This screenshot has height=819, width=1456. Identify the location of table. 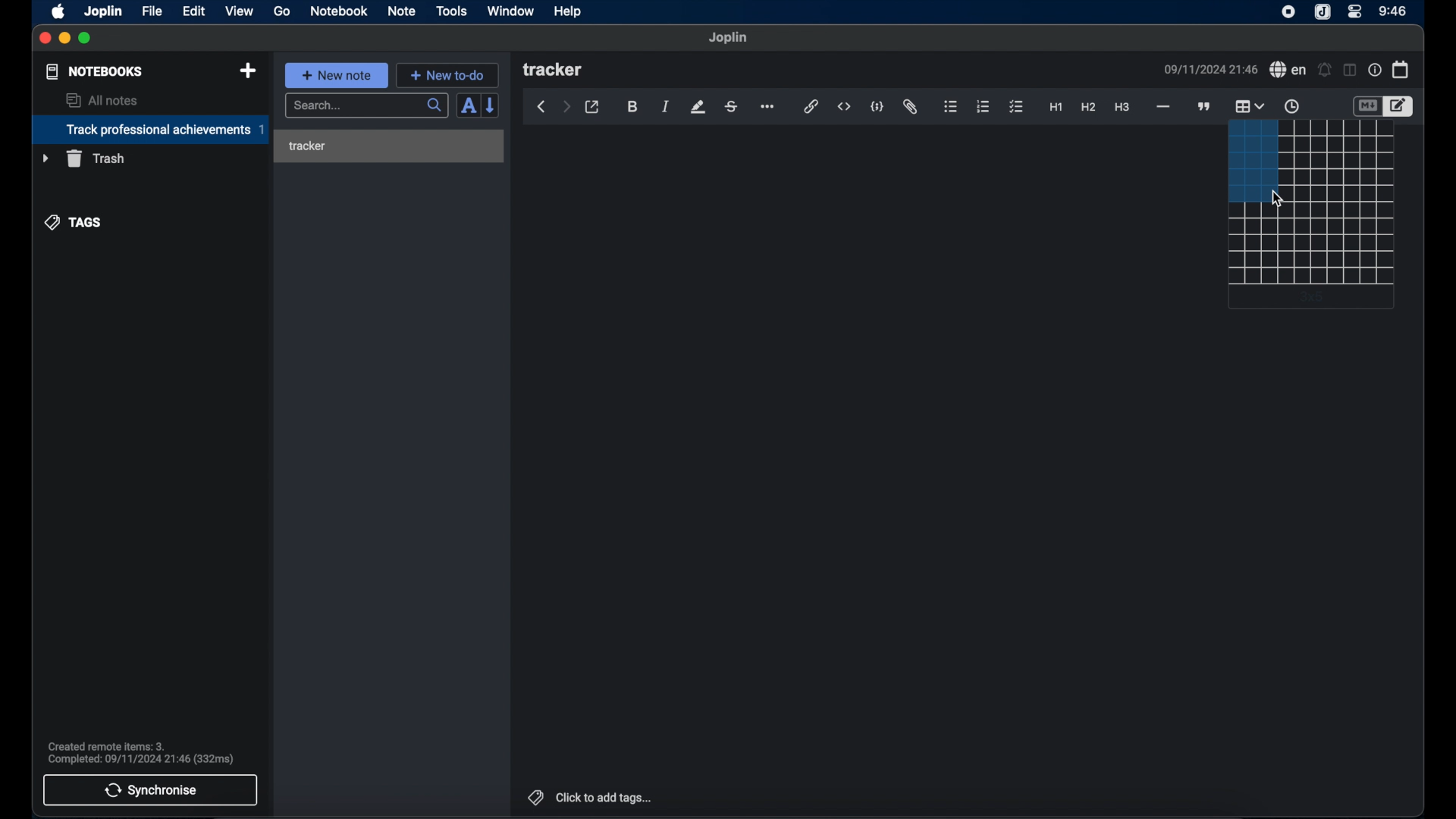
(1338, 162).